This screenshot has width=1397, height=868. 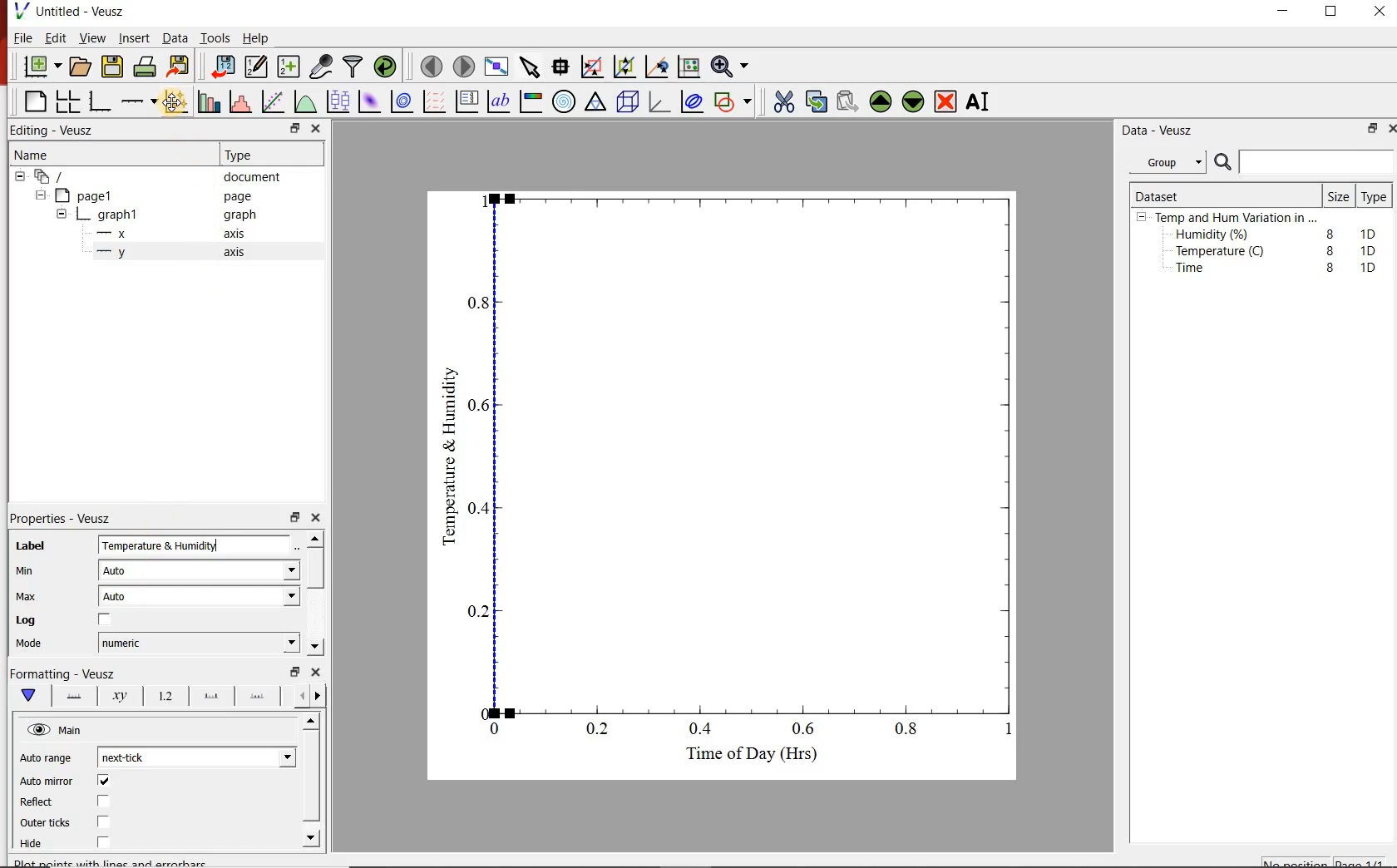 What do you see at coordinates (307, 104) in the screenshot?
I see `plot a function` at bounding box center [307, 104].